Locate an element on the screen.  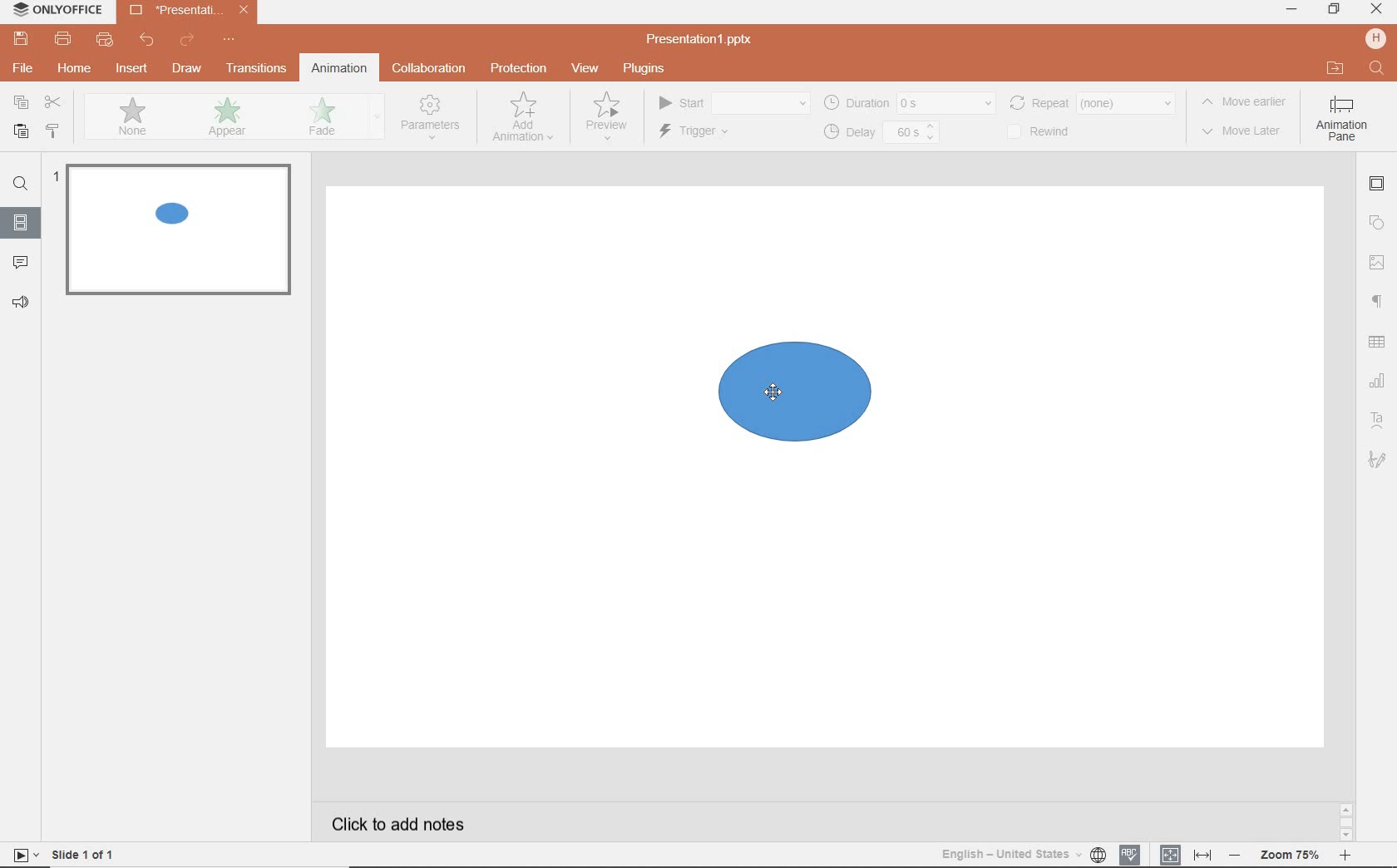
appear is located at coordinates (230, 119).